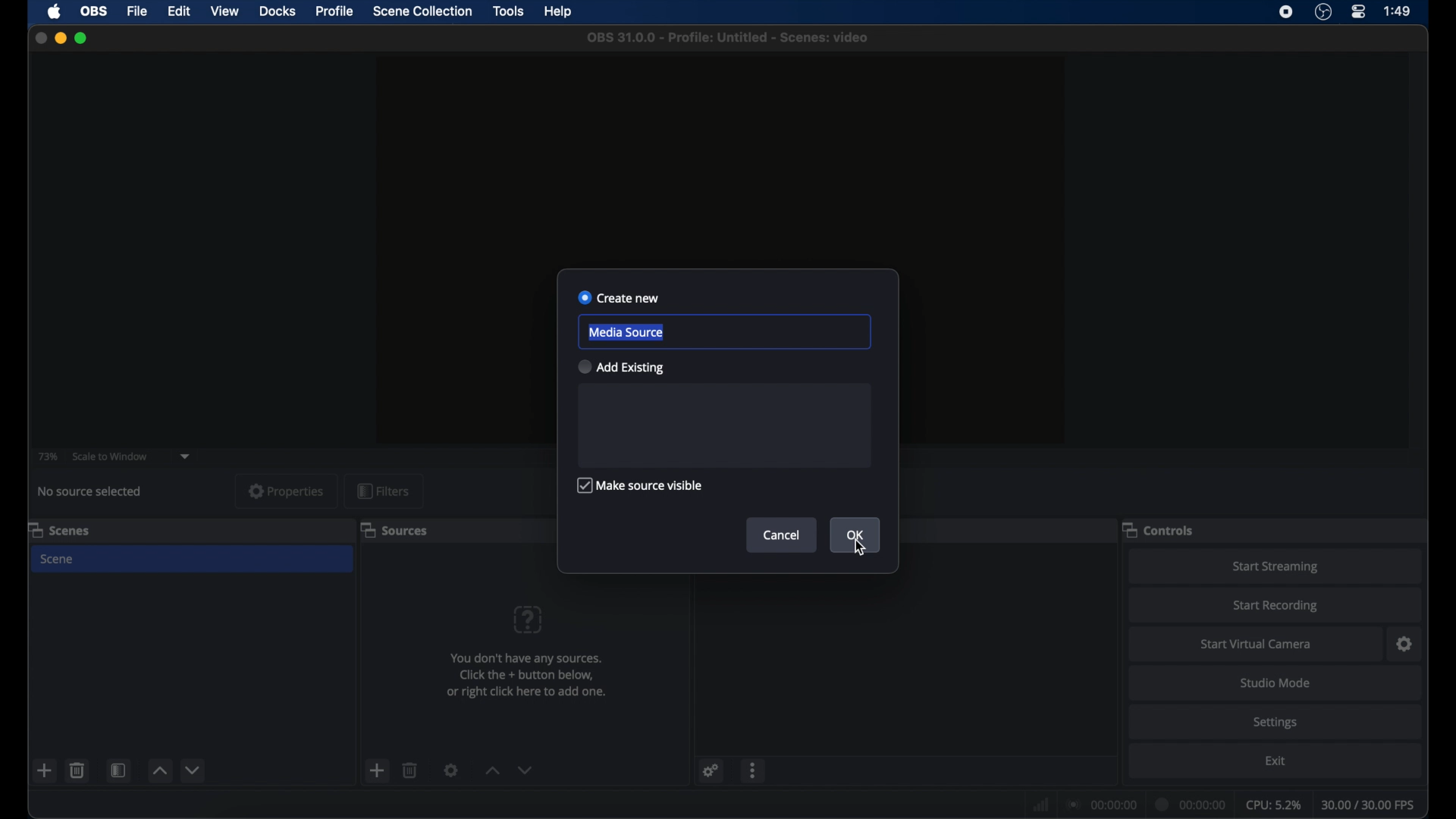 This screenshot has height=819, width=1456. I want to click on add, so click(378, 769).